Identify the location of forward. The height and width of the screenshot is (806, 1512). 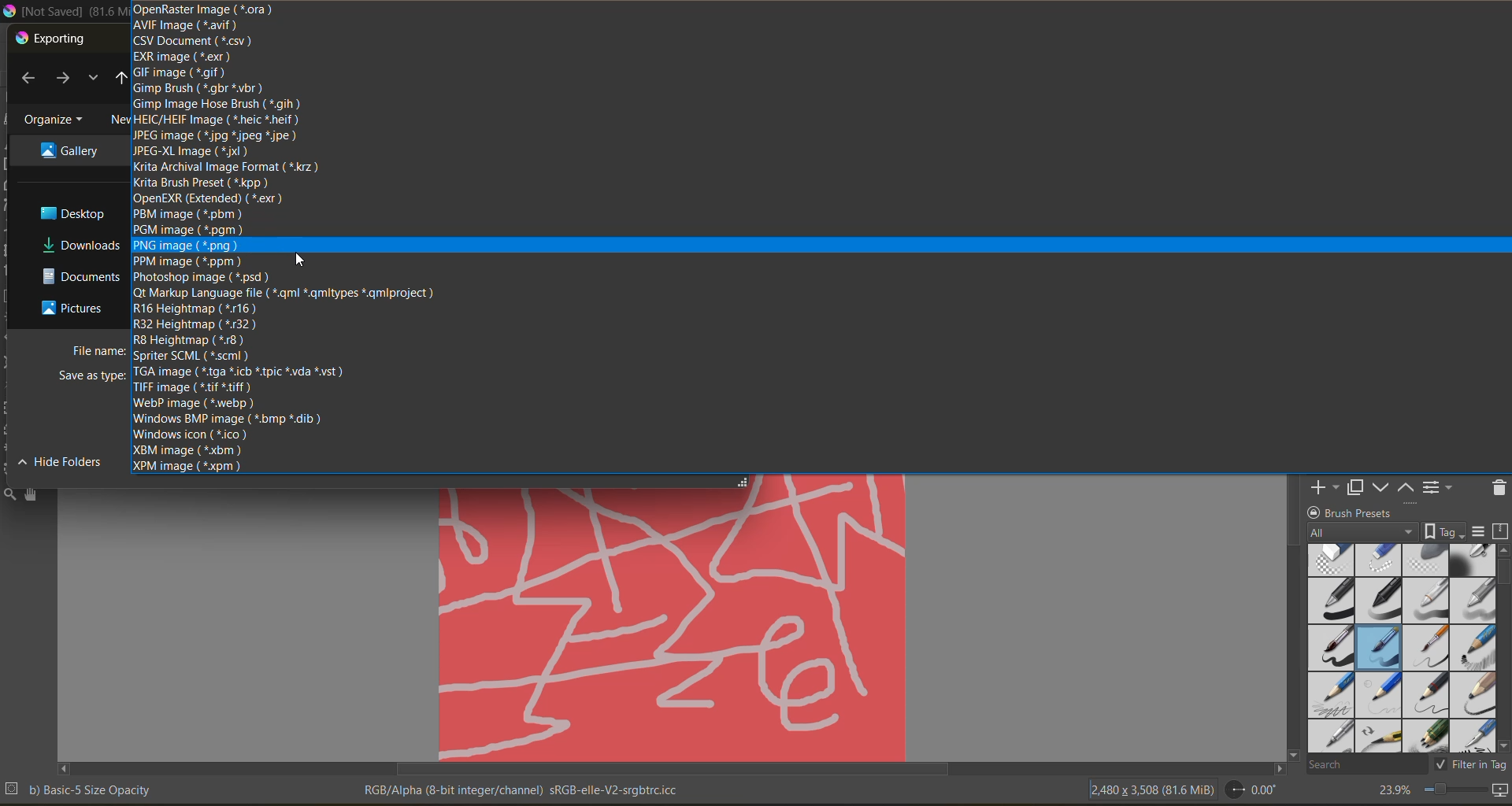
(66, 79).